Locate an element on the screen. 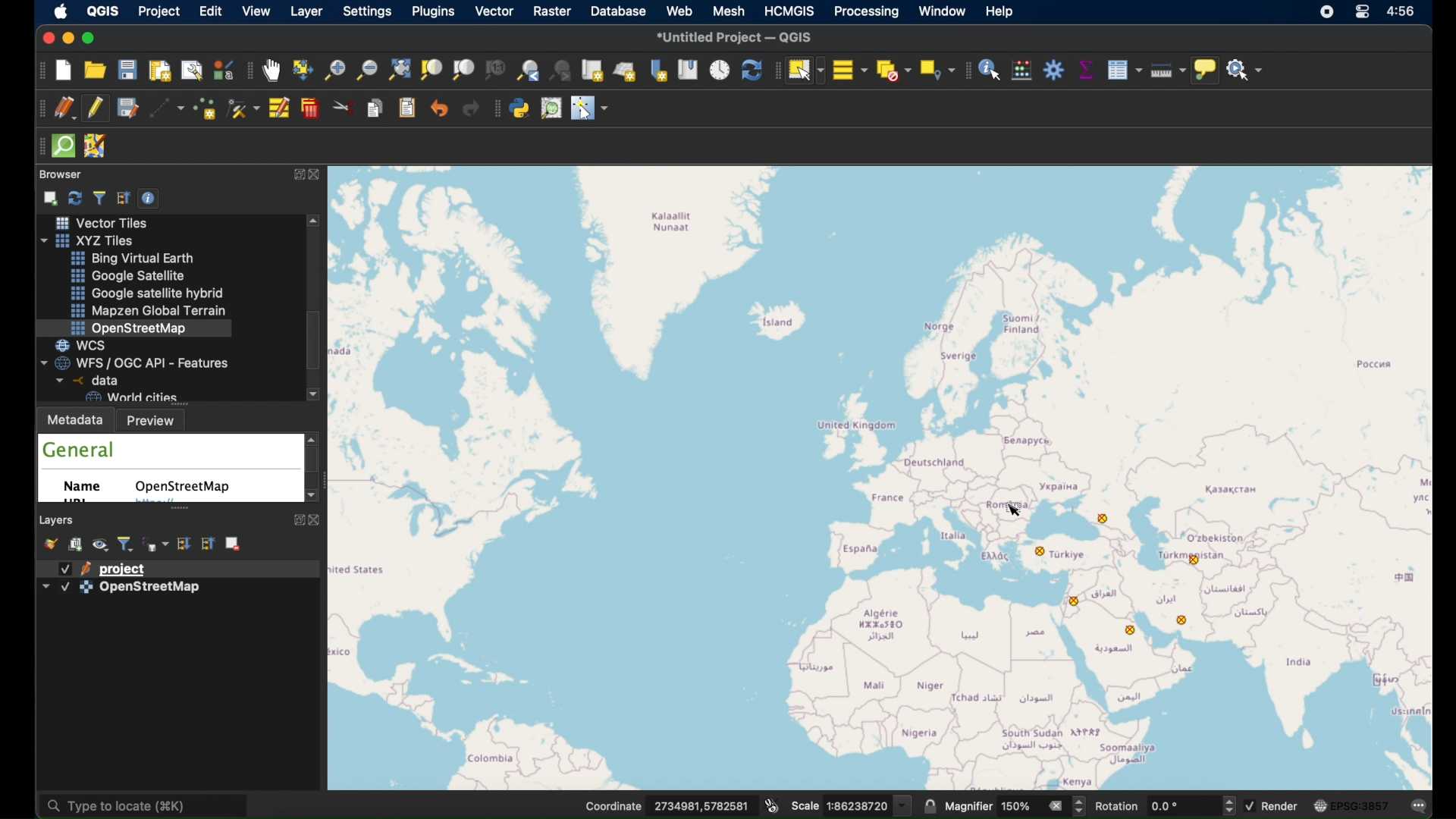 This screenshot has width=1456, height=819. scroll box is located at coordinates (313, 463).